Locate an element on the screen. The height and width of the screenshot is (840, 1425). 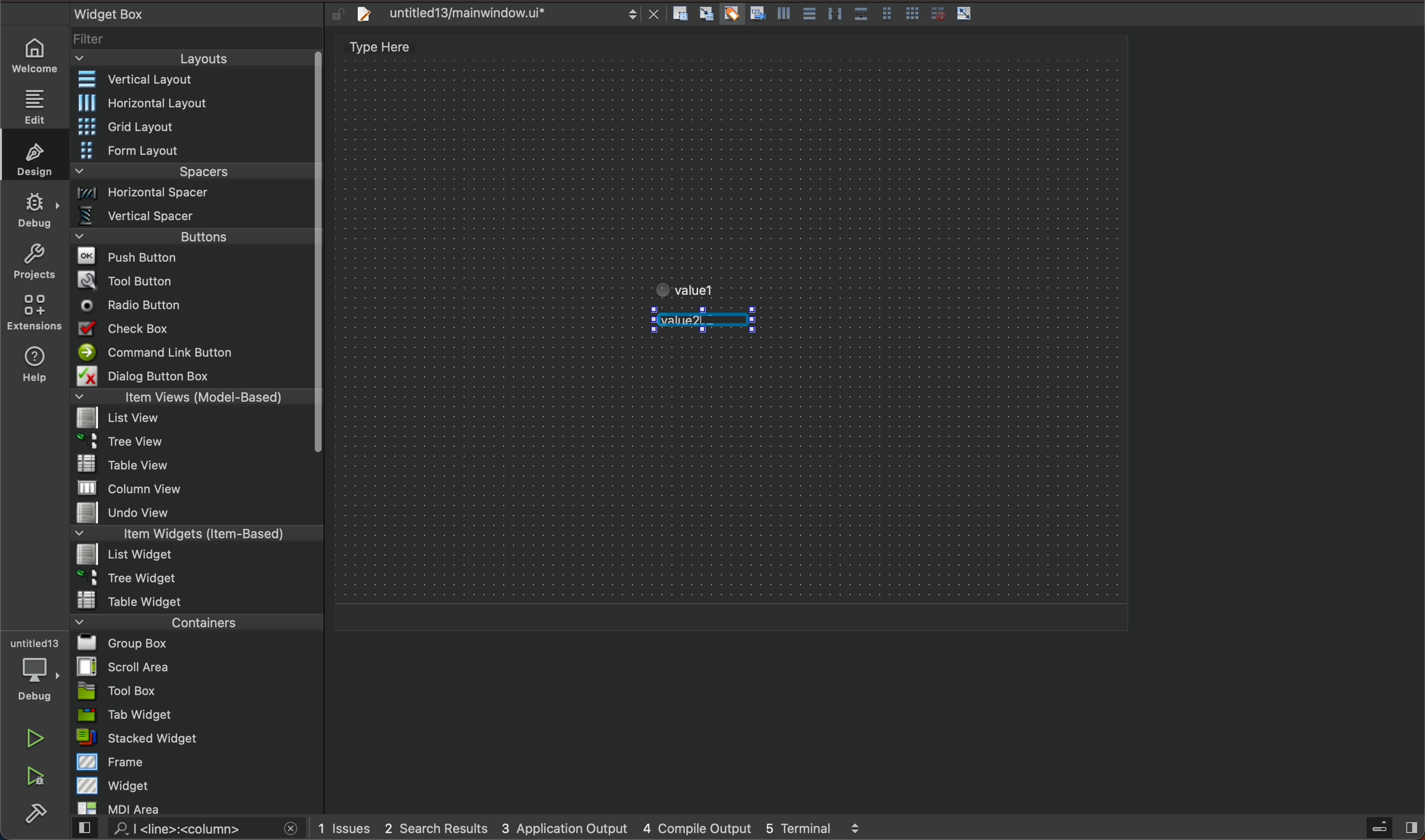
 is located at coordinates (195, 196).